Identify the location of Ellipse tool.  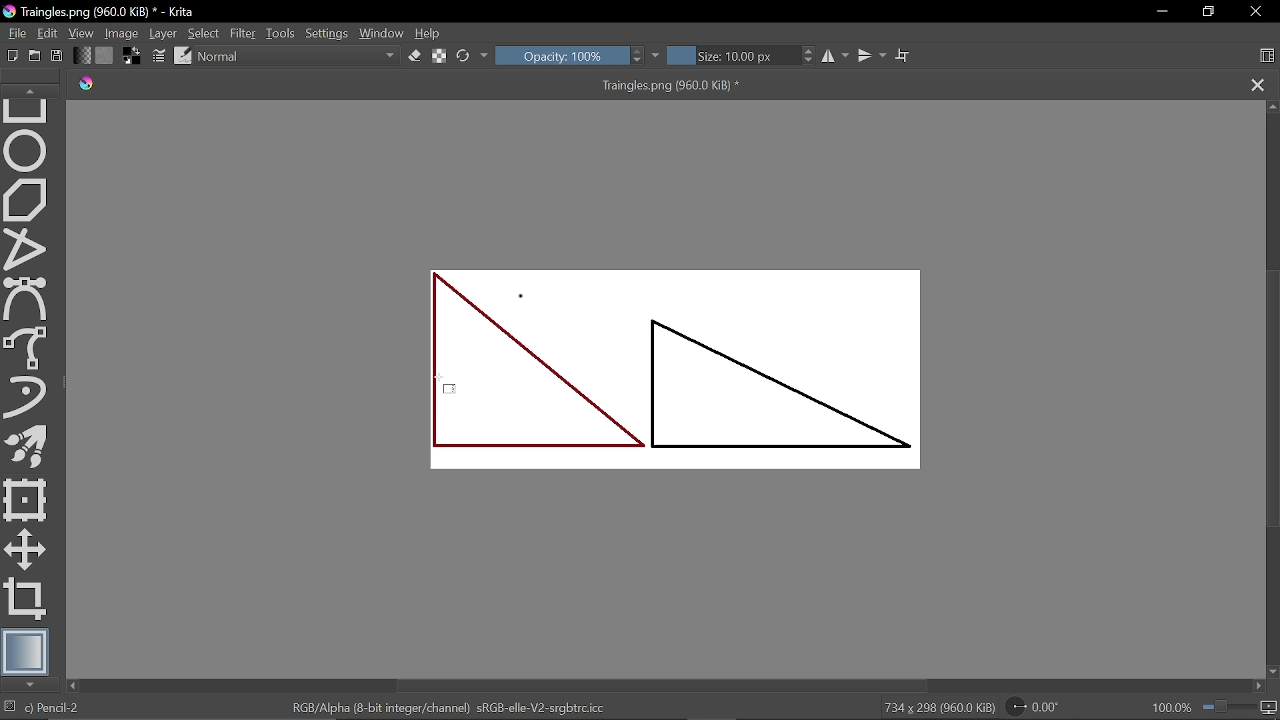
(26, 151).